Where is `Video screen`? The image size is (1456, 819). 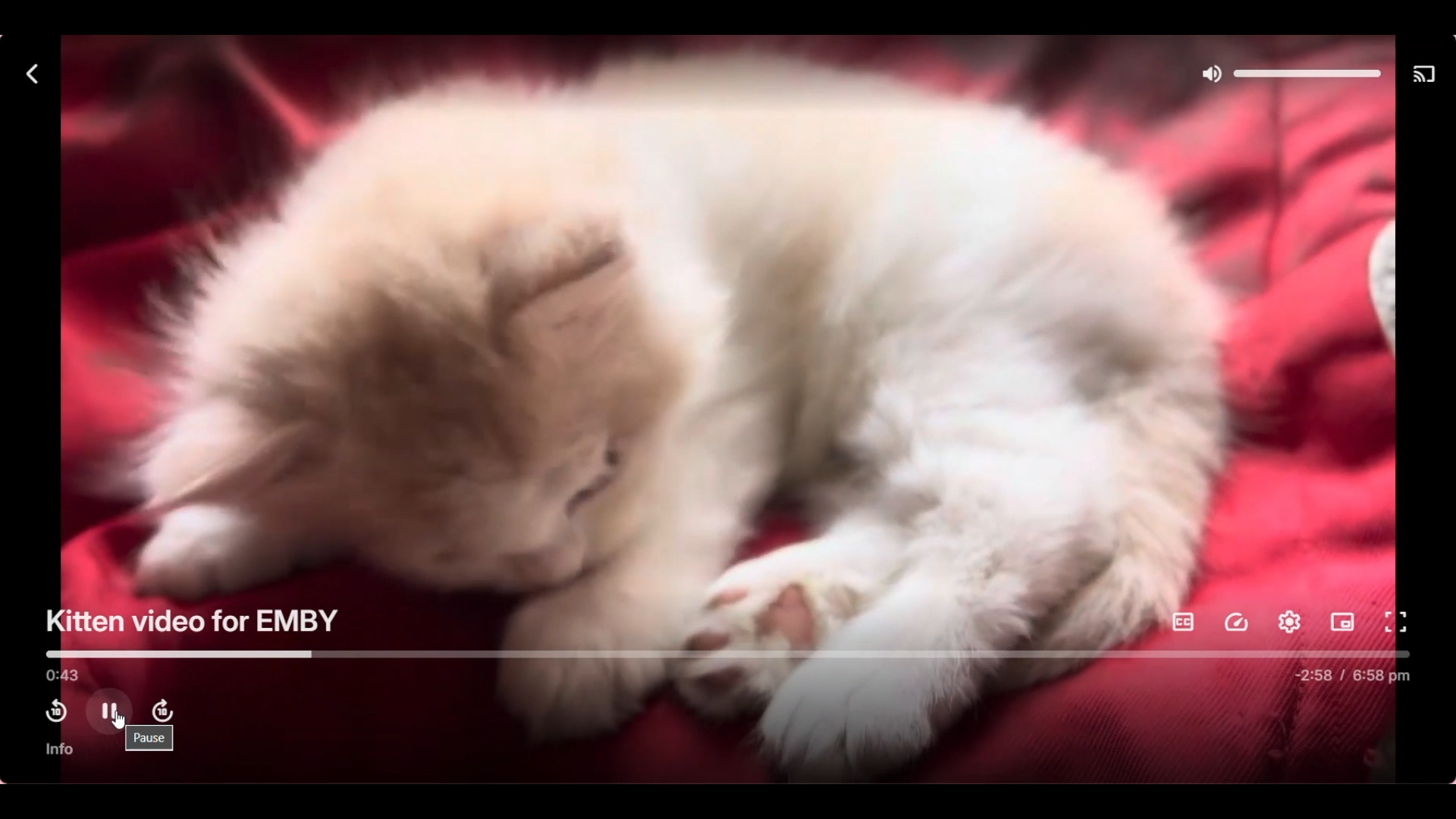
Video screen is located at coordinates (726, 347).